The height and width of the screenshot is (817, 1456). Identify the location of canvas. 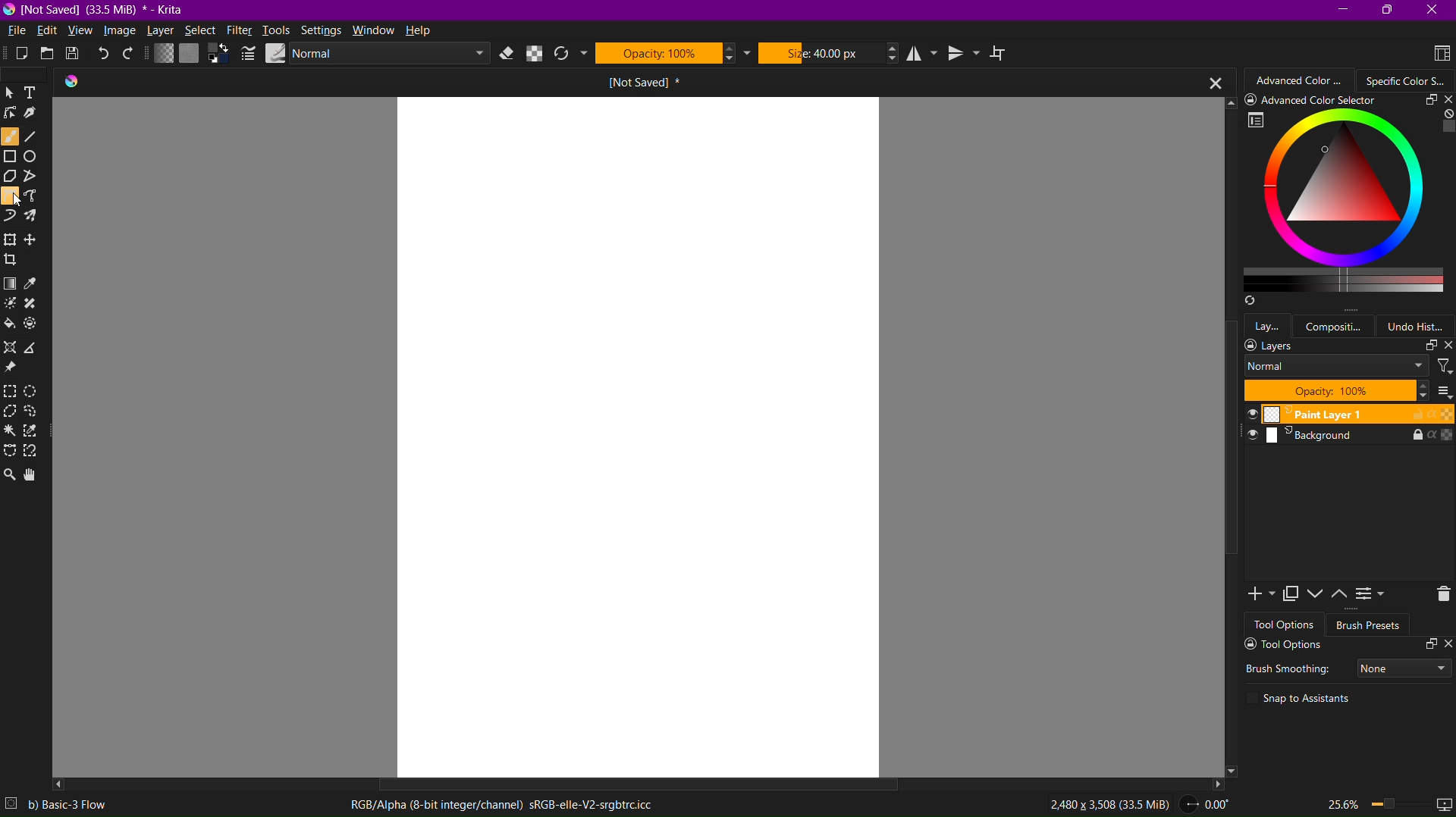
(636, 437).